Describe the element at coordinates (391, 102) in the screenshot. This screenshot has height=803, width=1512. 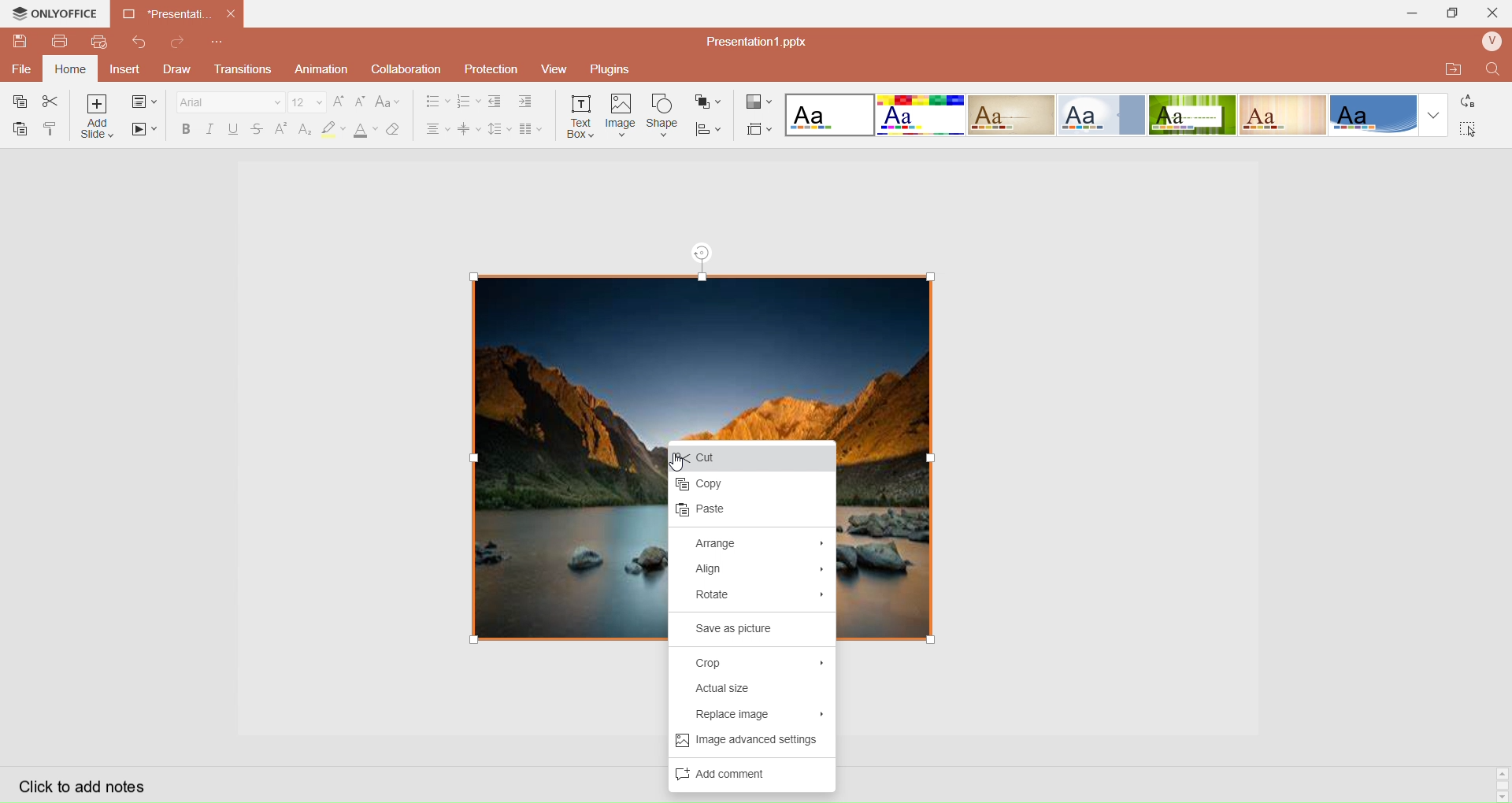
I see `Change Case` at that location.